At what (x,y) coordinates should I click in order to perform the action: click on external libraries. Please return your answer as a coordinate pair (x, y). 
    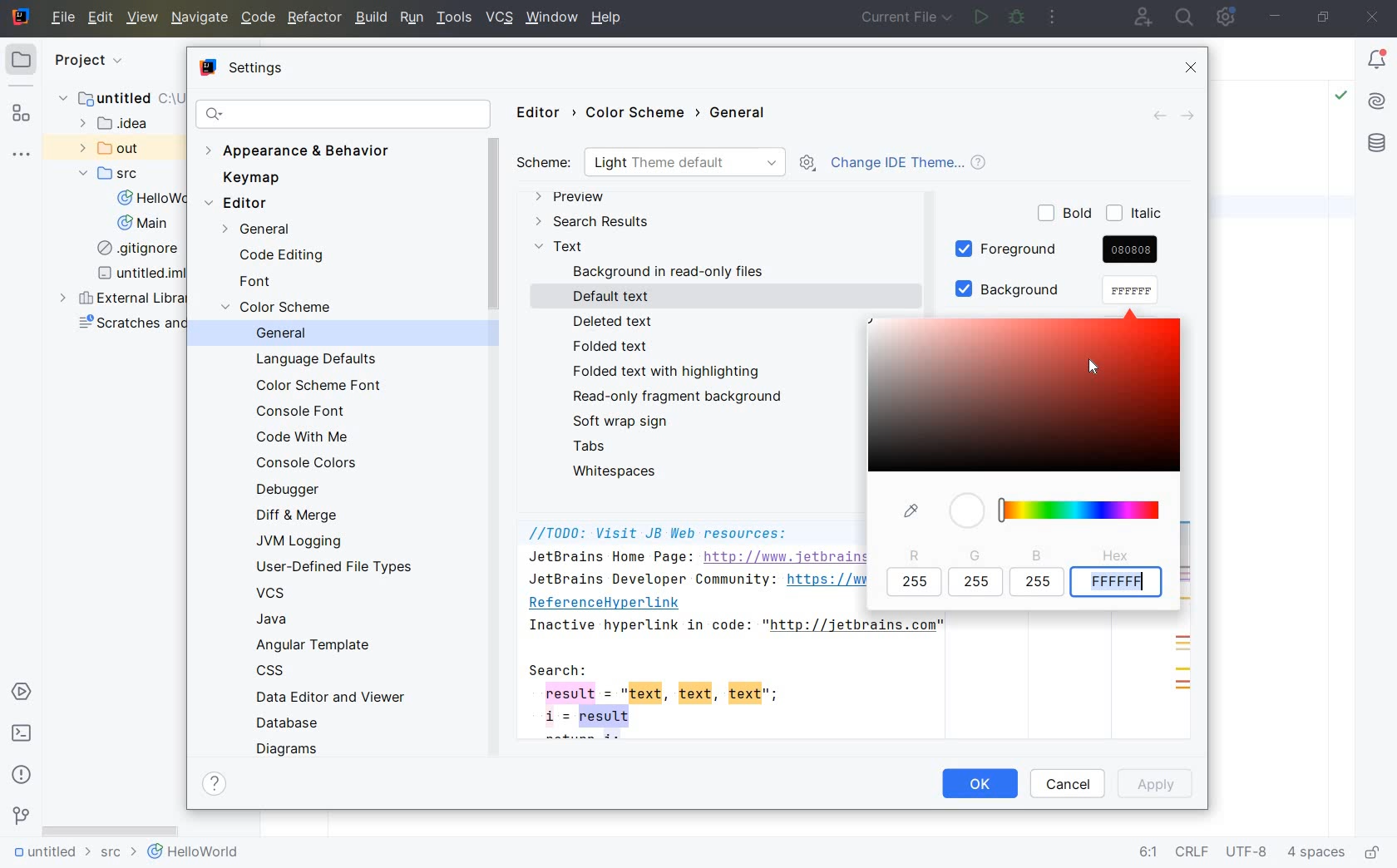
    Looking at the image, I should click on (126, 298).